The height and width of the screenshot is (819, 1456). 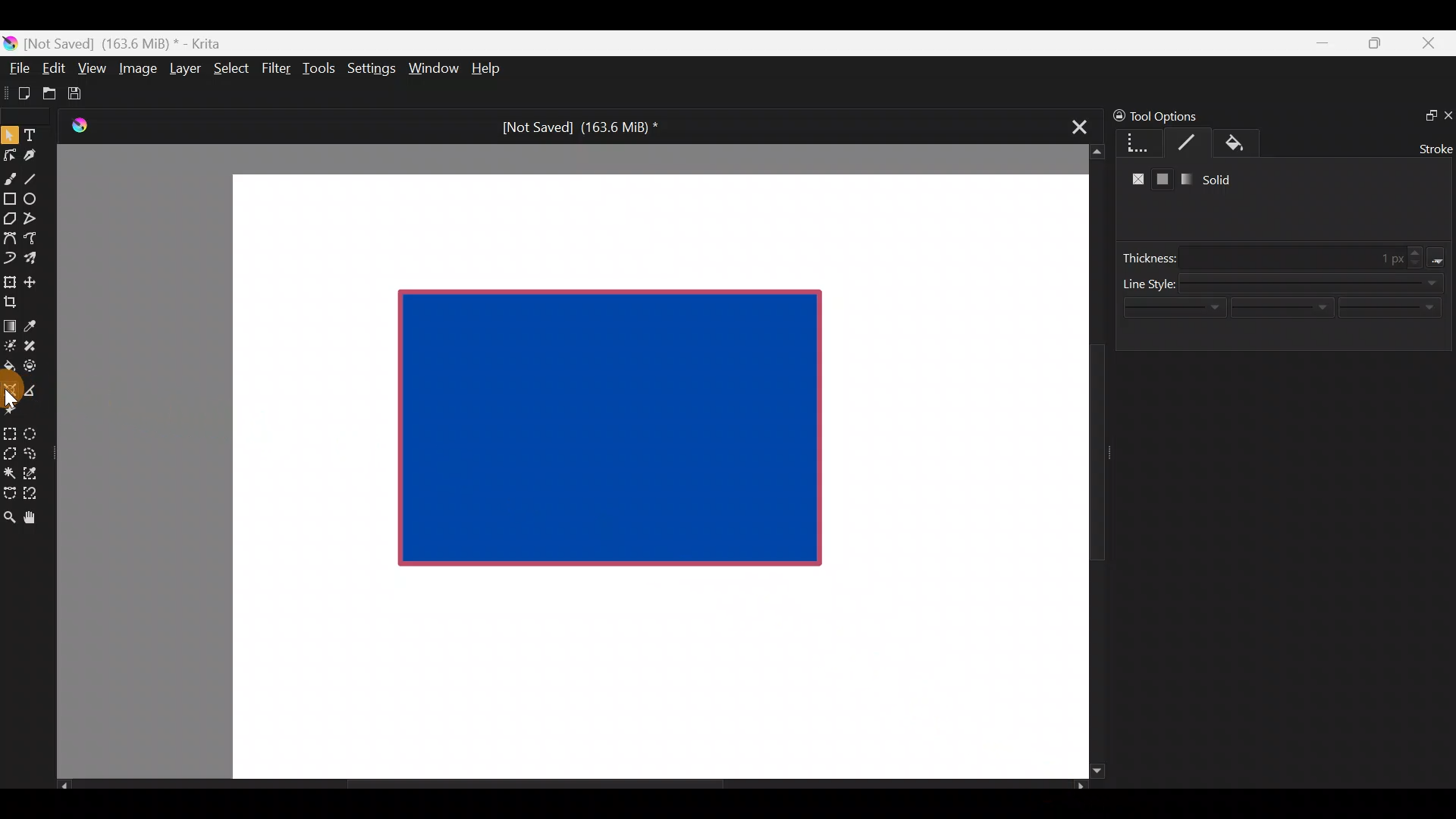 What do you see at coordinates (19, 93) in the screenshot?
I see `Create new document` at bounding box center [19, 93].